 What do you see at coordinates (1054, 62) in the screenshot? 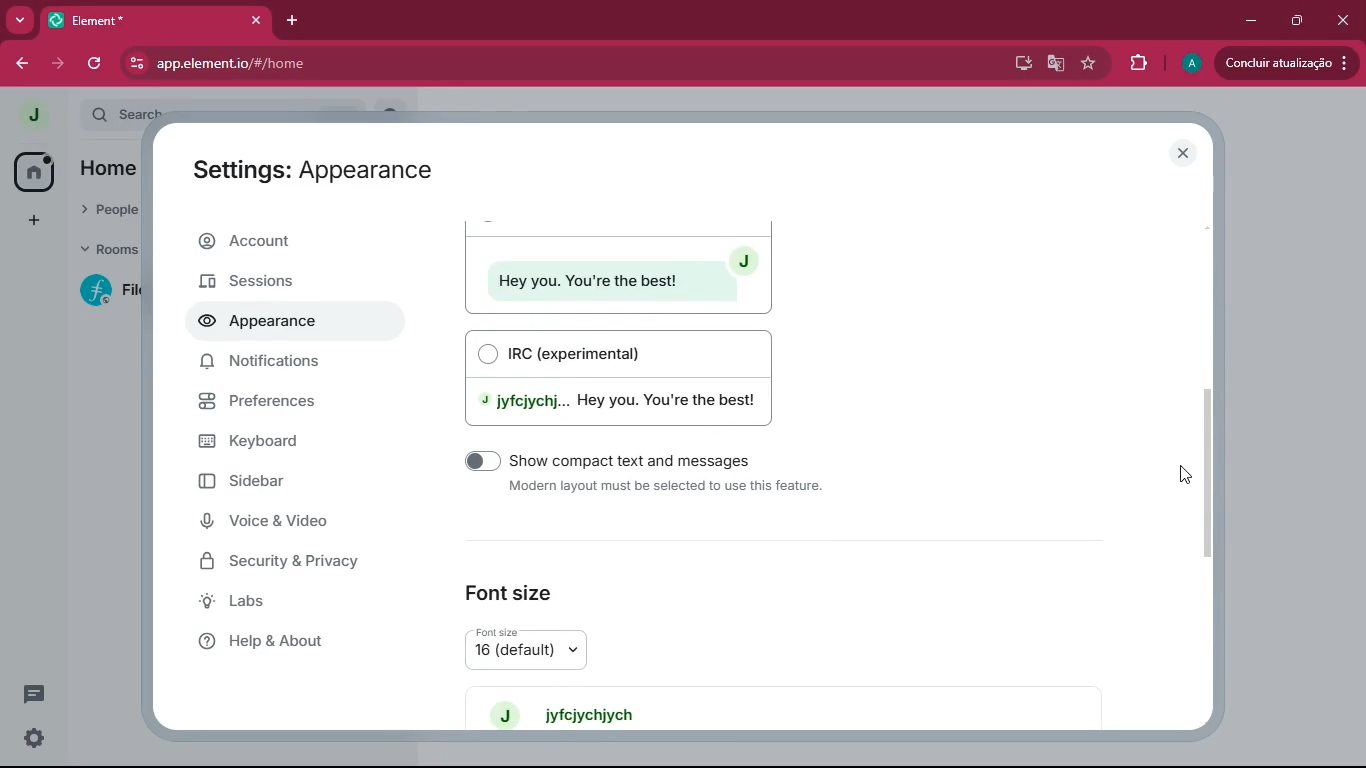
I see `google translate` at bounding box center [1054, 62].